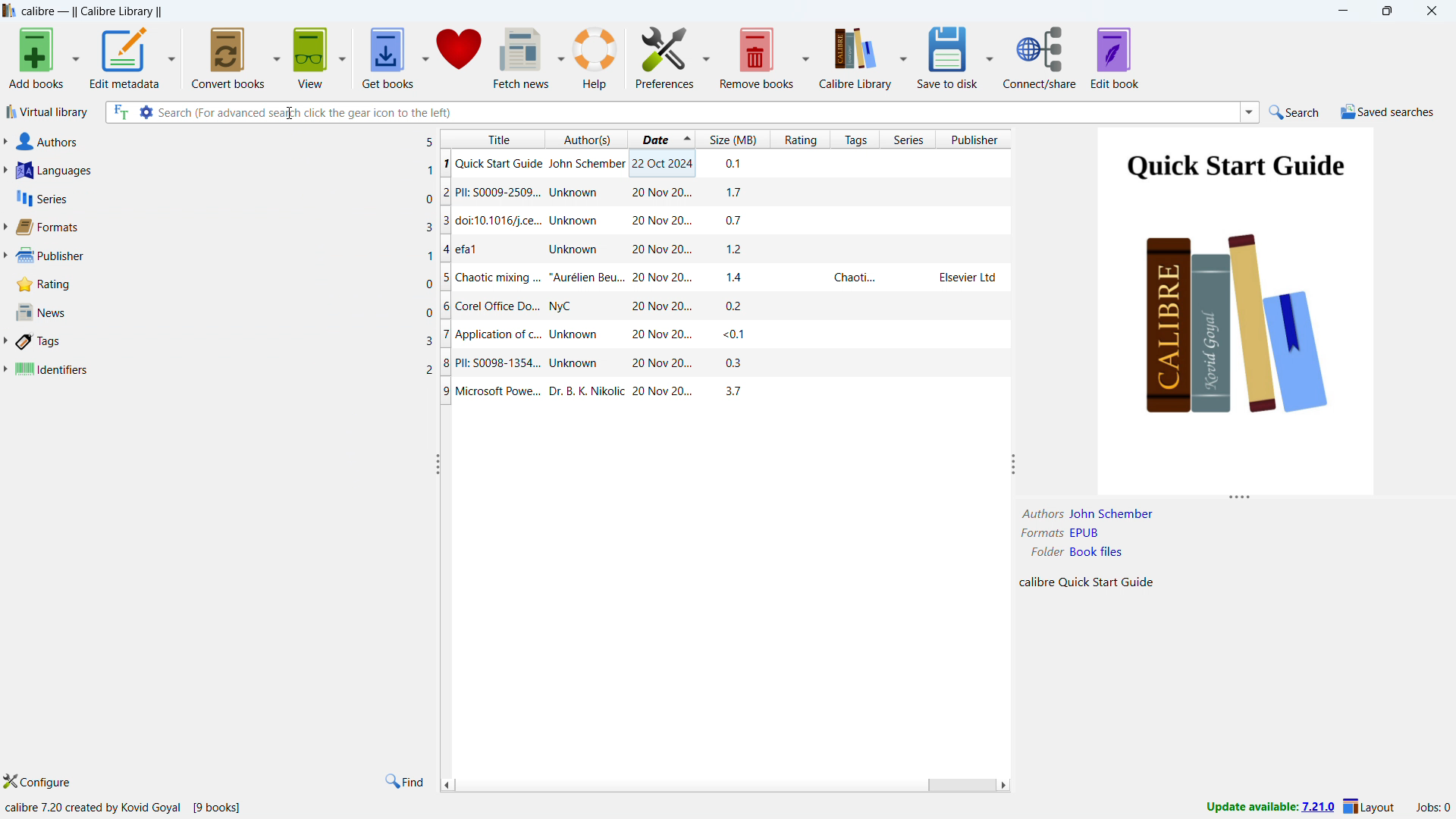 This screenshot has width=1456, height=819. I want to click on sort by series, so click(910, 139).